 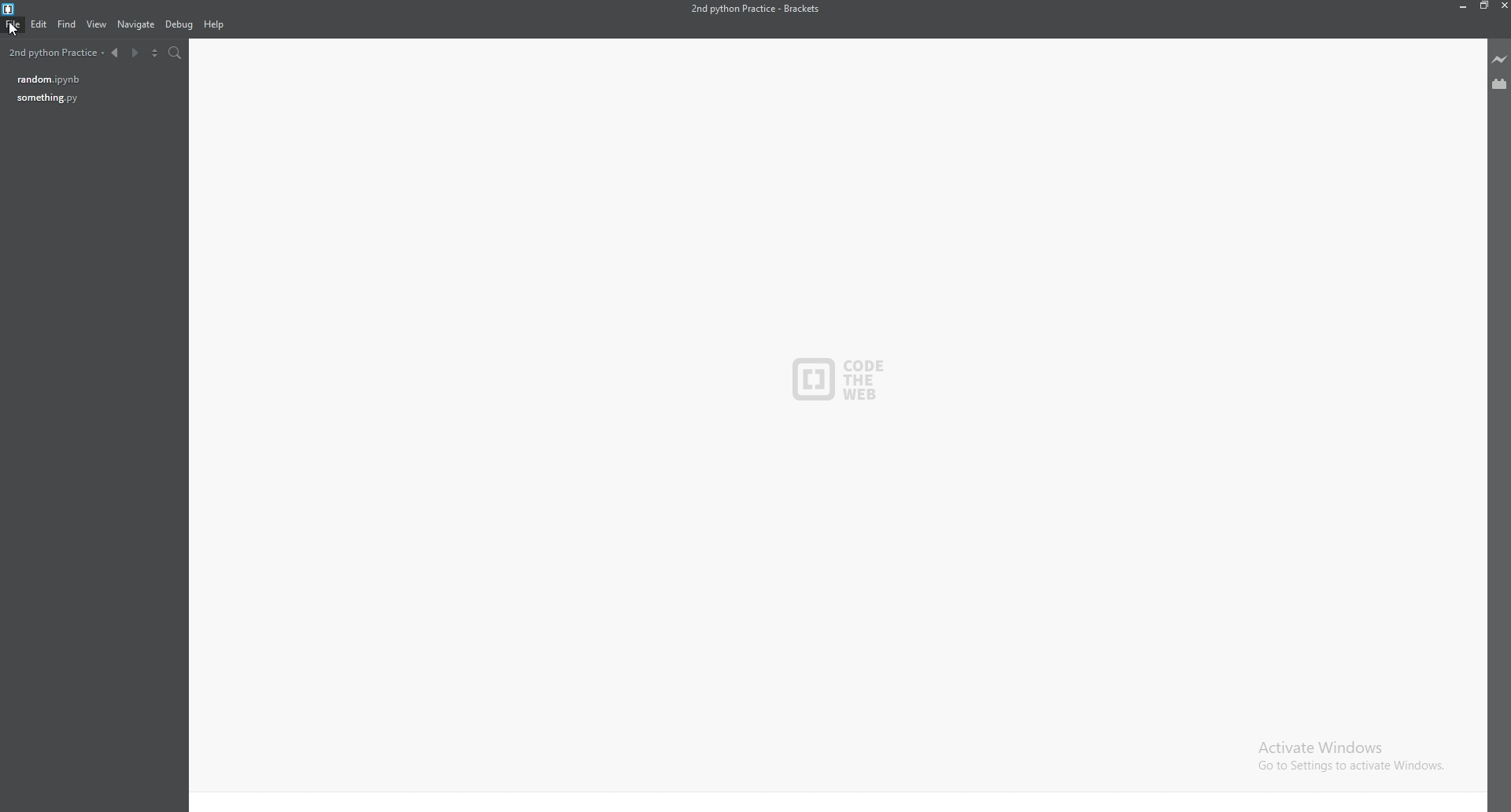 I want to click on 2nd python practice, so click(x=53, y=54).